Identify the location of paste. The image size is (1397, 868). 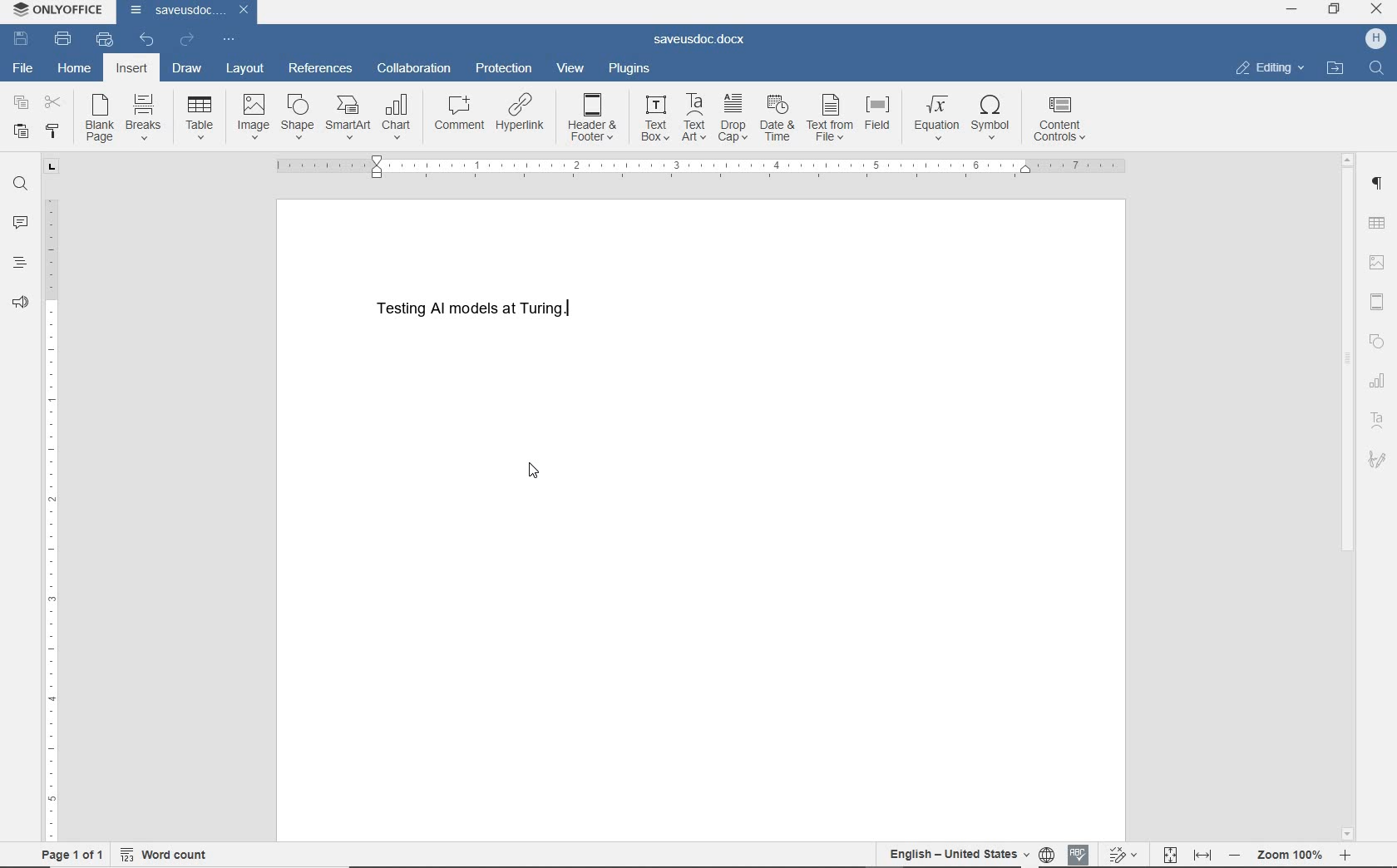
(18, 131).